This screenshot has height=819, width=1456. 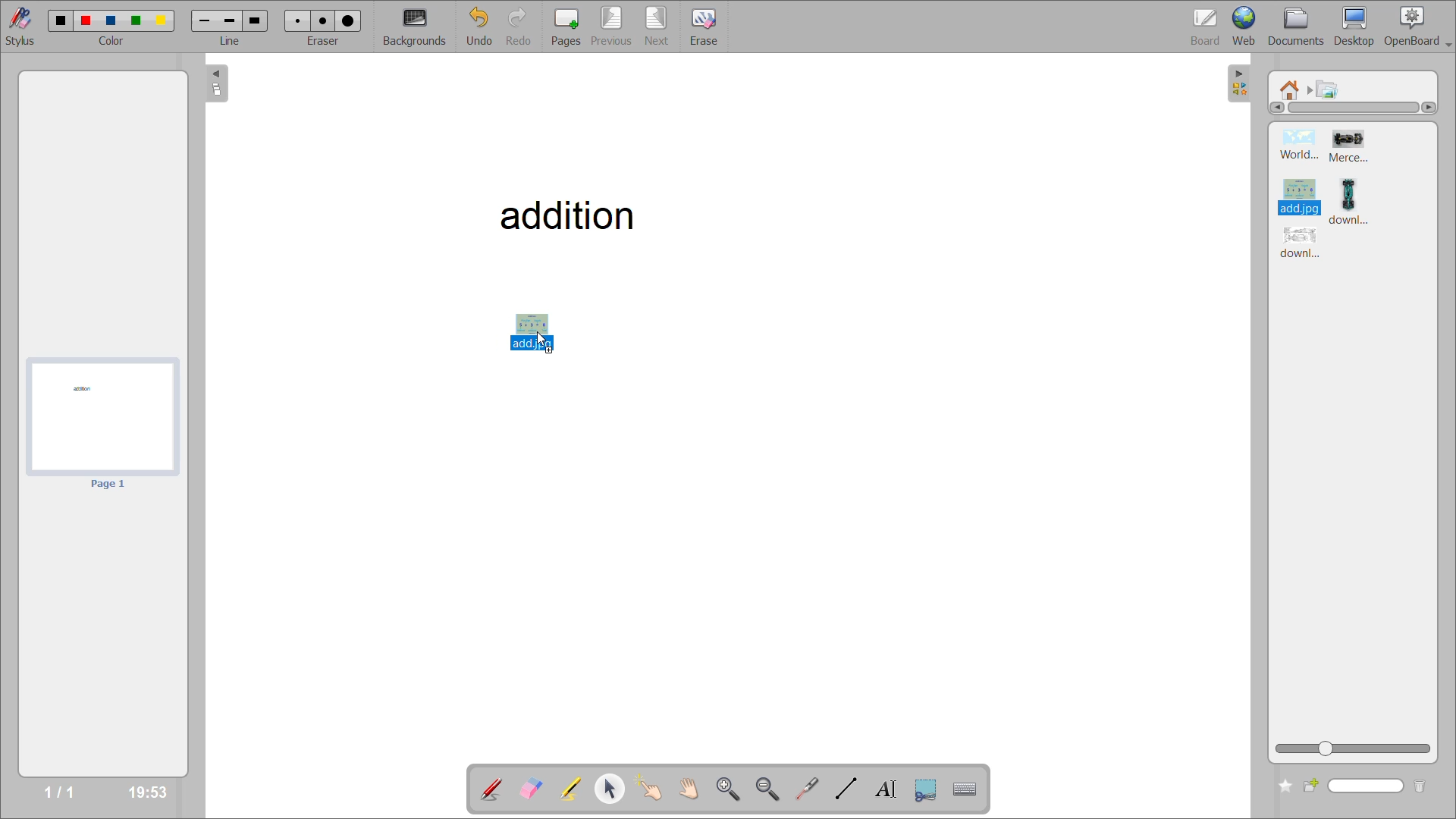 What do you see at coordinates (704, 28) in the screenshot?
I see `erase` at bounding box center [704, 28].